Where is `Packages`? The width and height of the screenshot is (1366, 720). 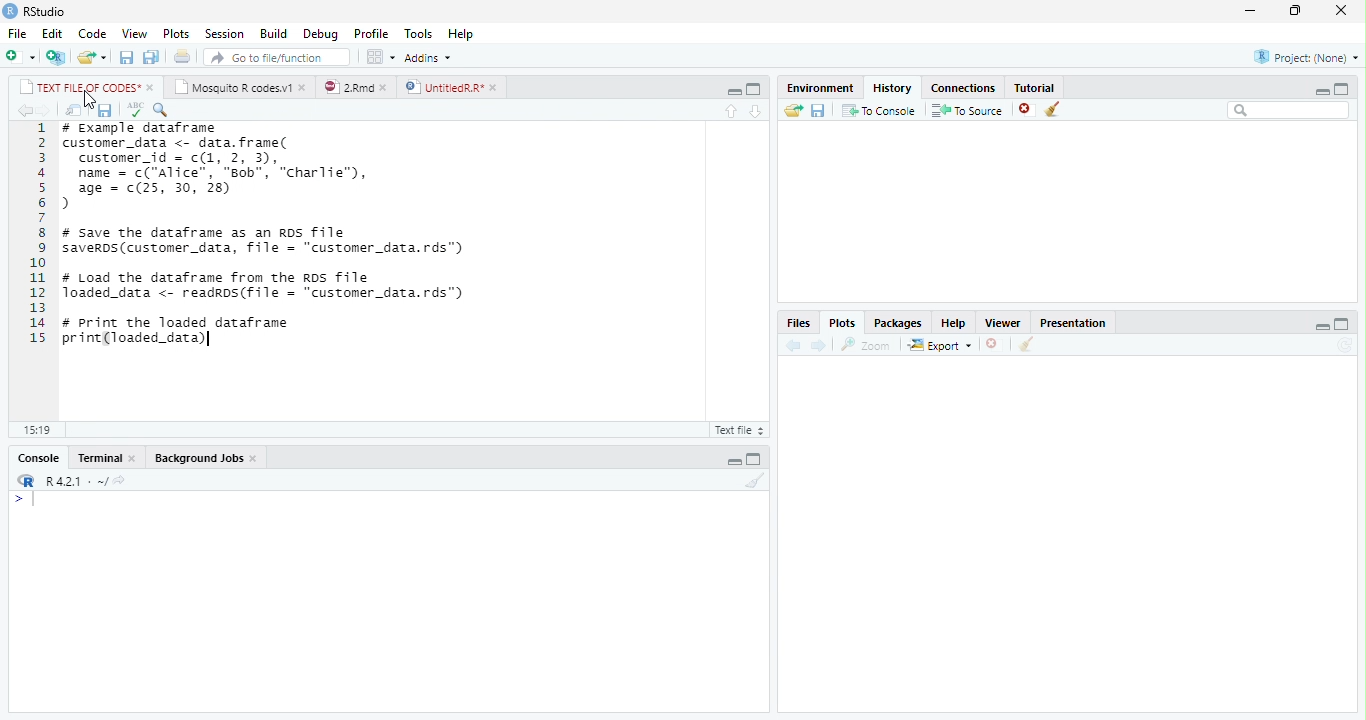 Packages is located at coordinates (895, 324).